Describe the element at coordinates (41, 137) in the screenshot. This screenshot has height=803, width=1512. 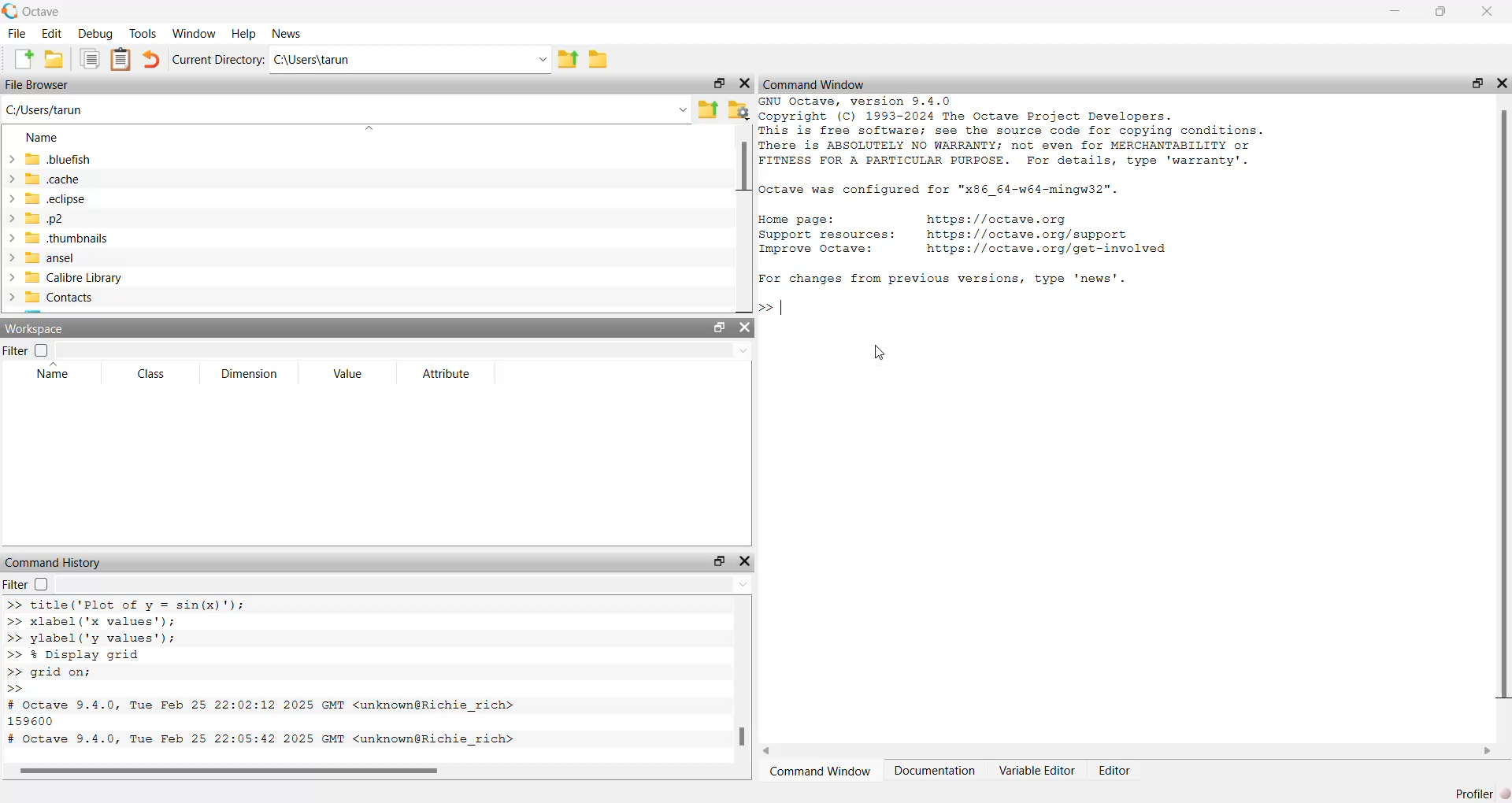
I see `Name` at that location.